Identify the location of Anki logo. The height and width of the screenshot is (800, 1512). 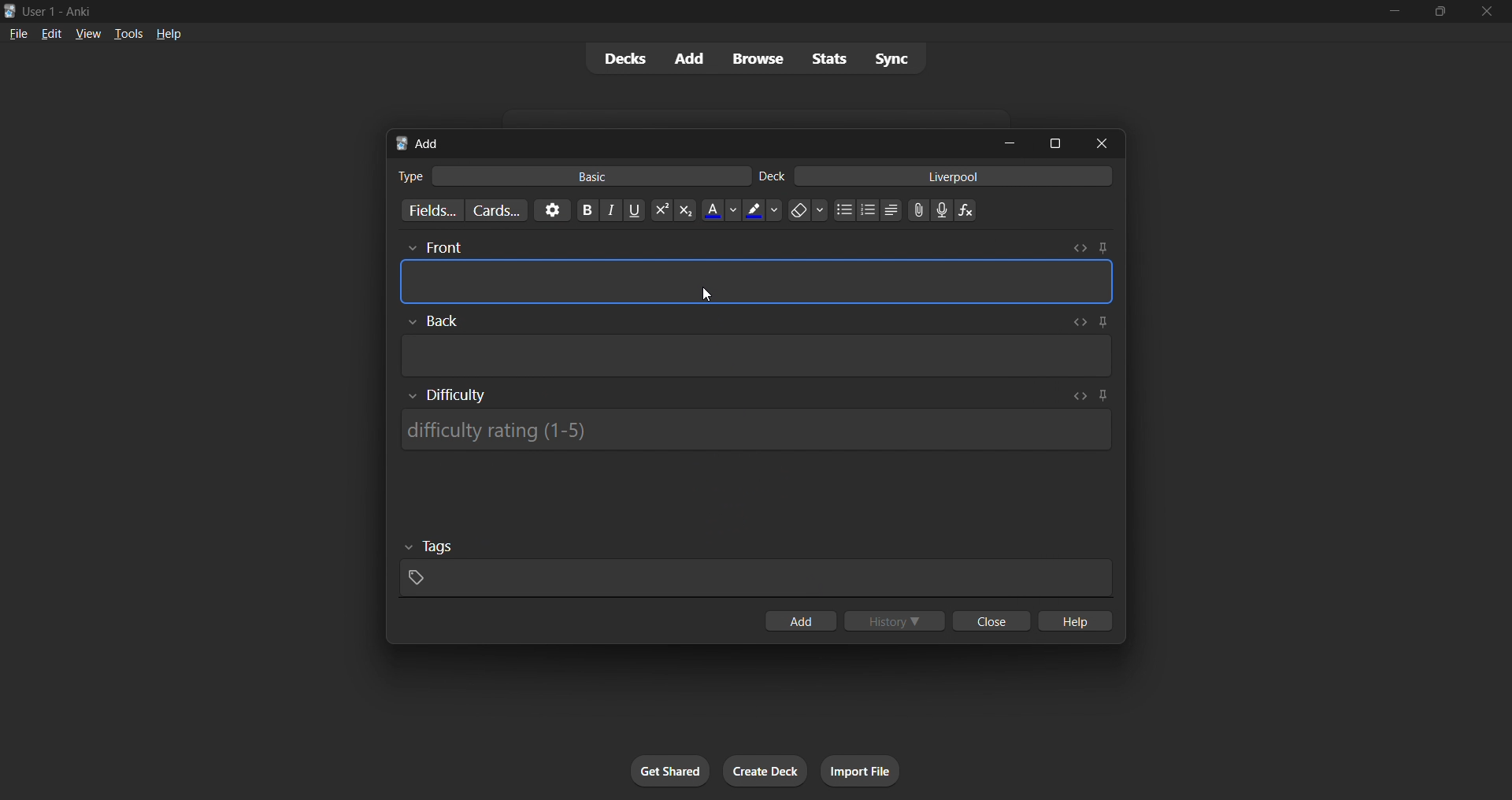
(402, 143).